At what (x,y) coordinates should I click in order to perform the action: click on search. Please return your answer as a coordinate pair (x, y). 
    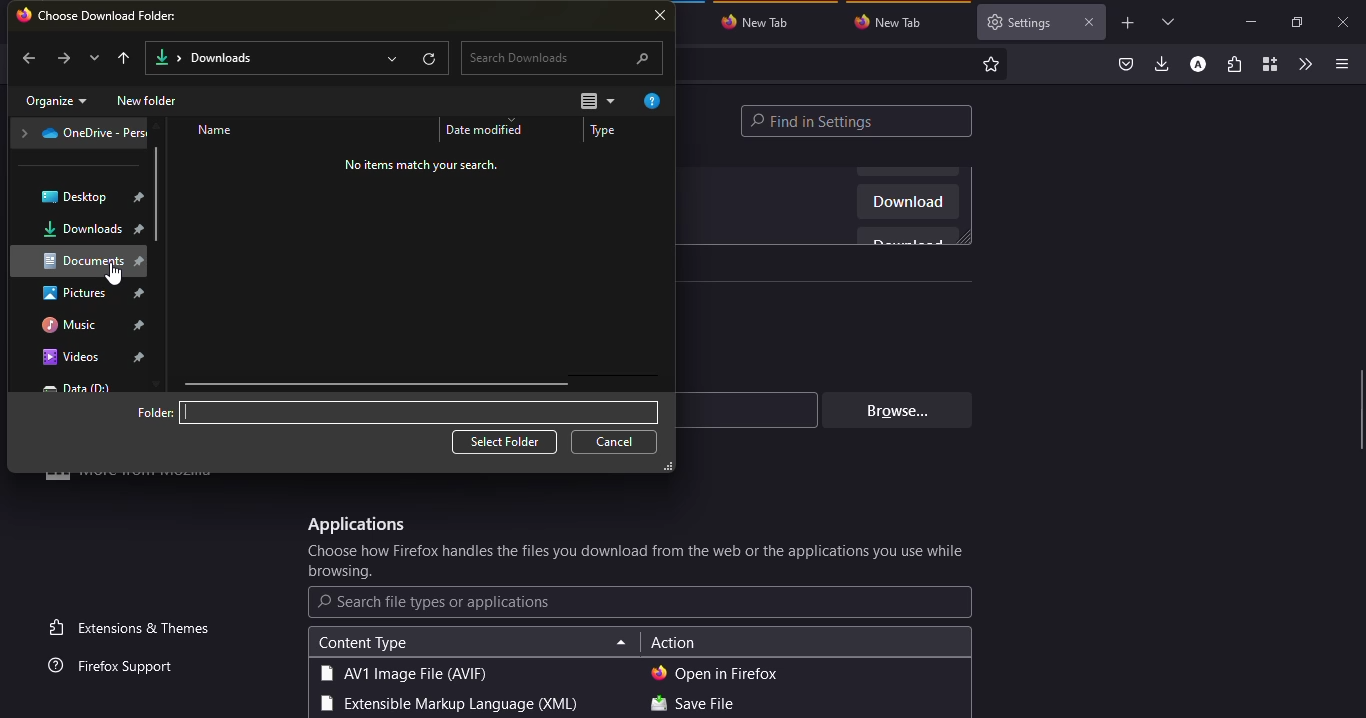
    Looking at the image, I should click on (435, 602).